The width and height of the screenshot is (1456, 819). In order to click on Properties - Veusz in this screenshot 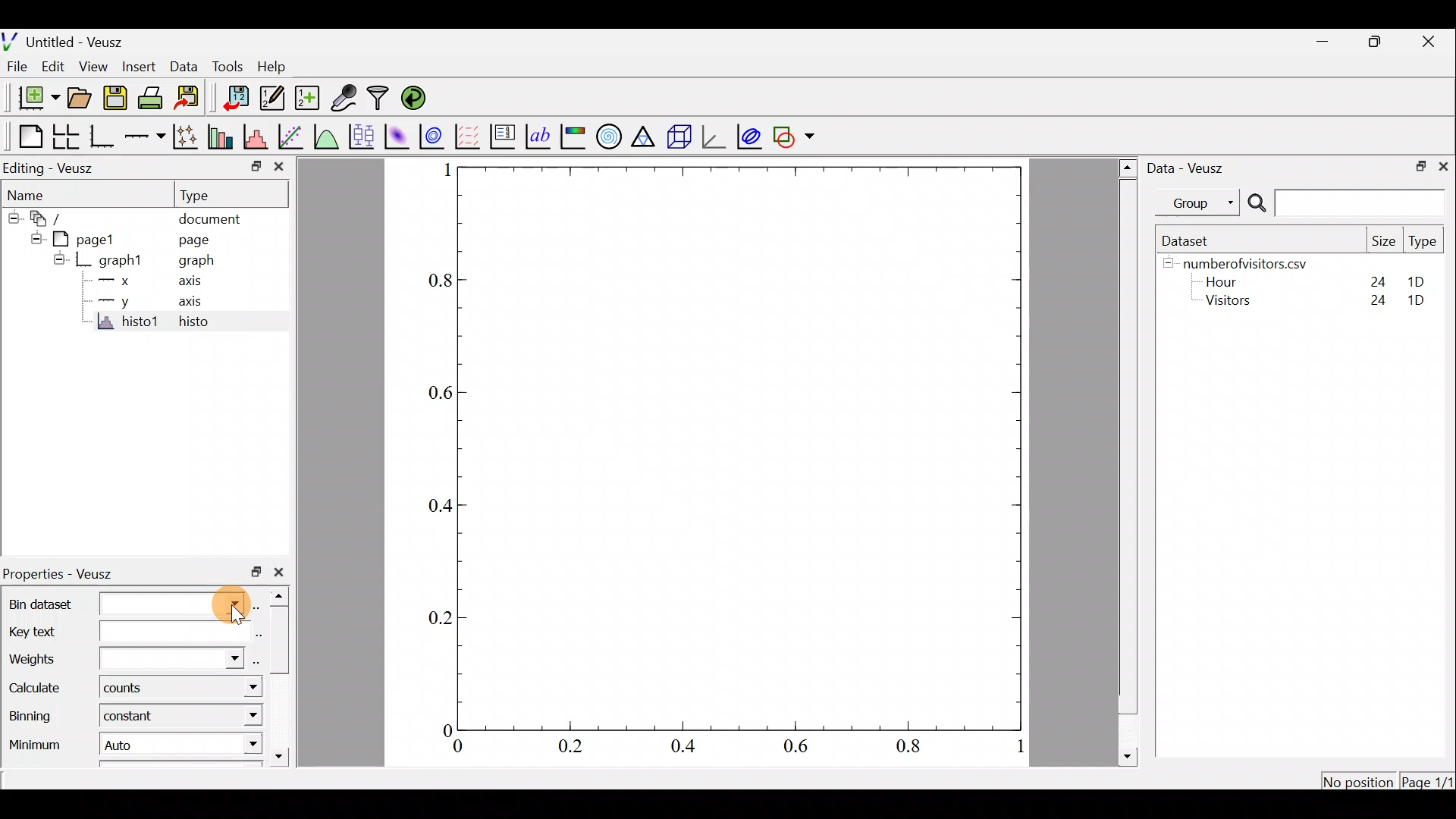, I will do `click(60, 575)`.